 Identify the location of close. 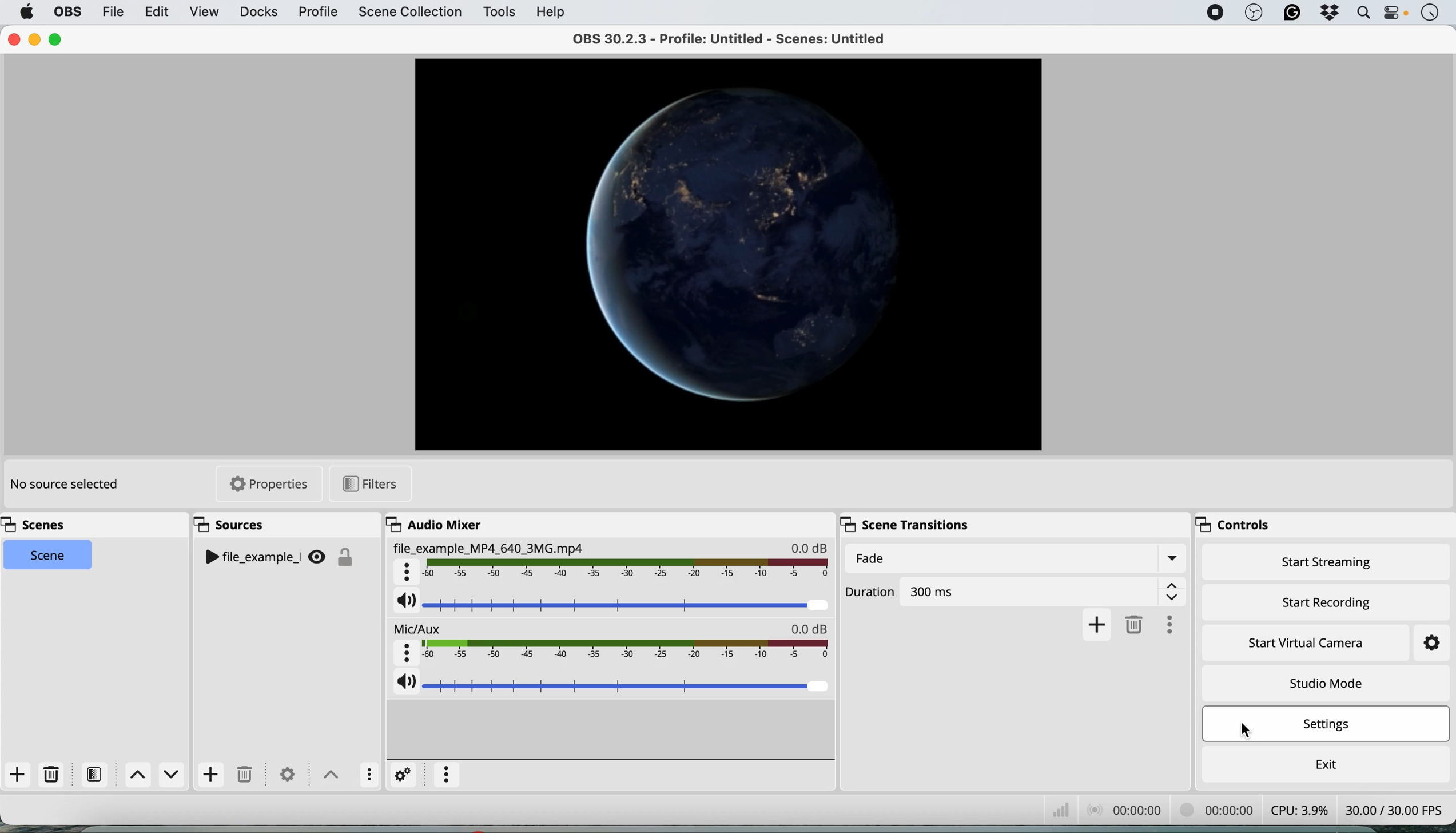
(14, 40).